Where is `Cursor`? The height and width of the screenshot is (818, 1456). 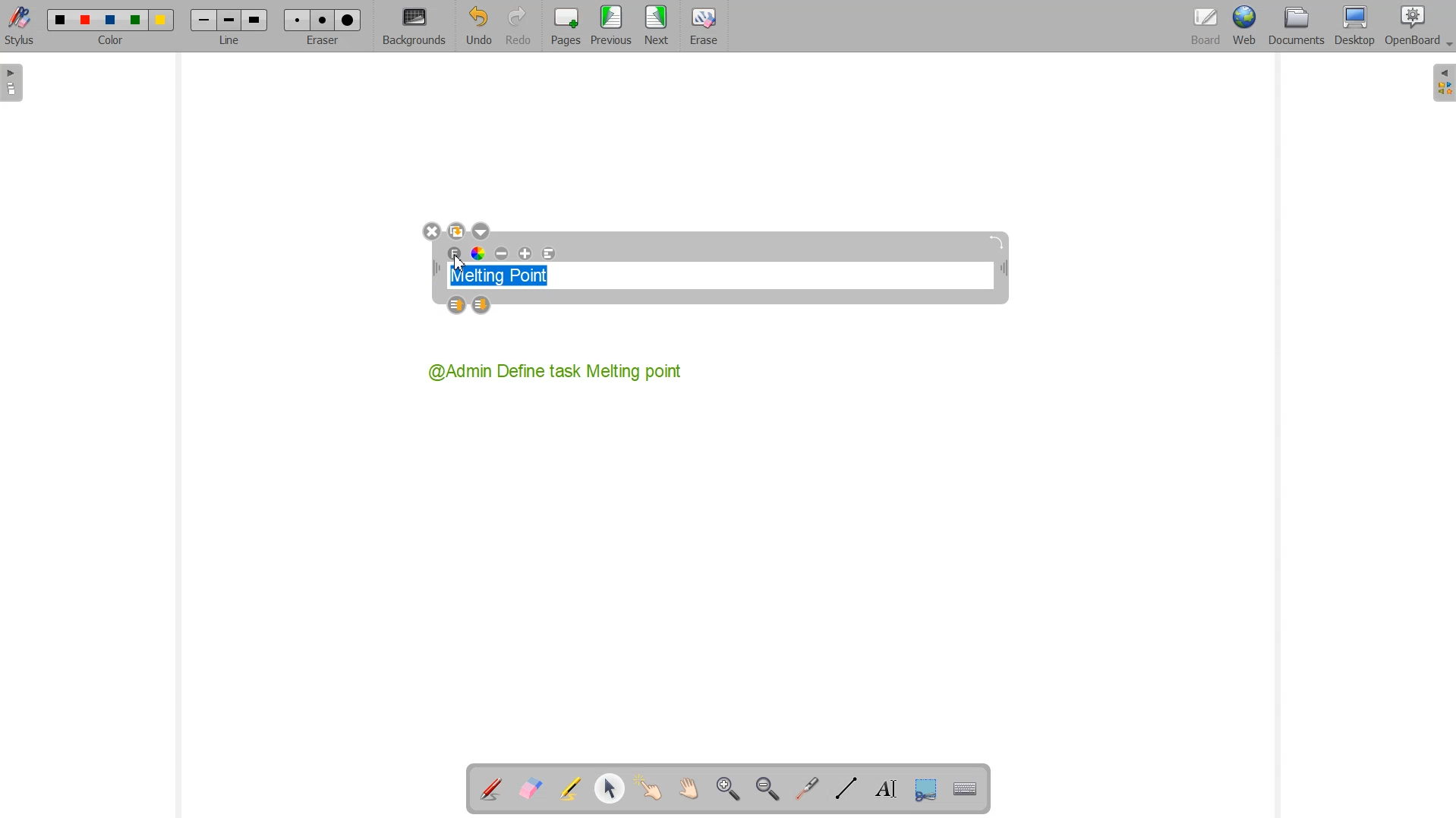 Cursor is located at coordinates (462, 263).